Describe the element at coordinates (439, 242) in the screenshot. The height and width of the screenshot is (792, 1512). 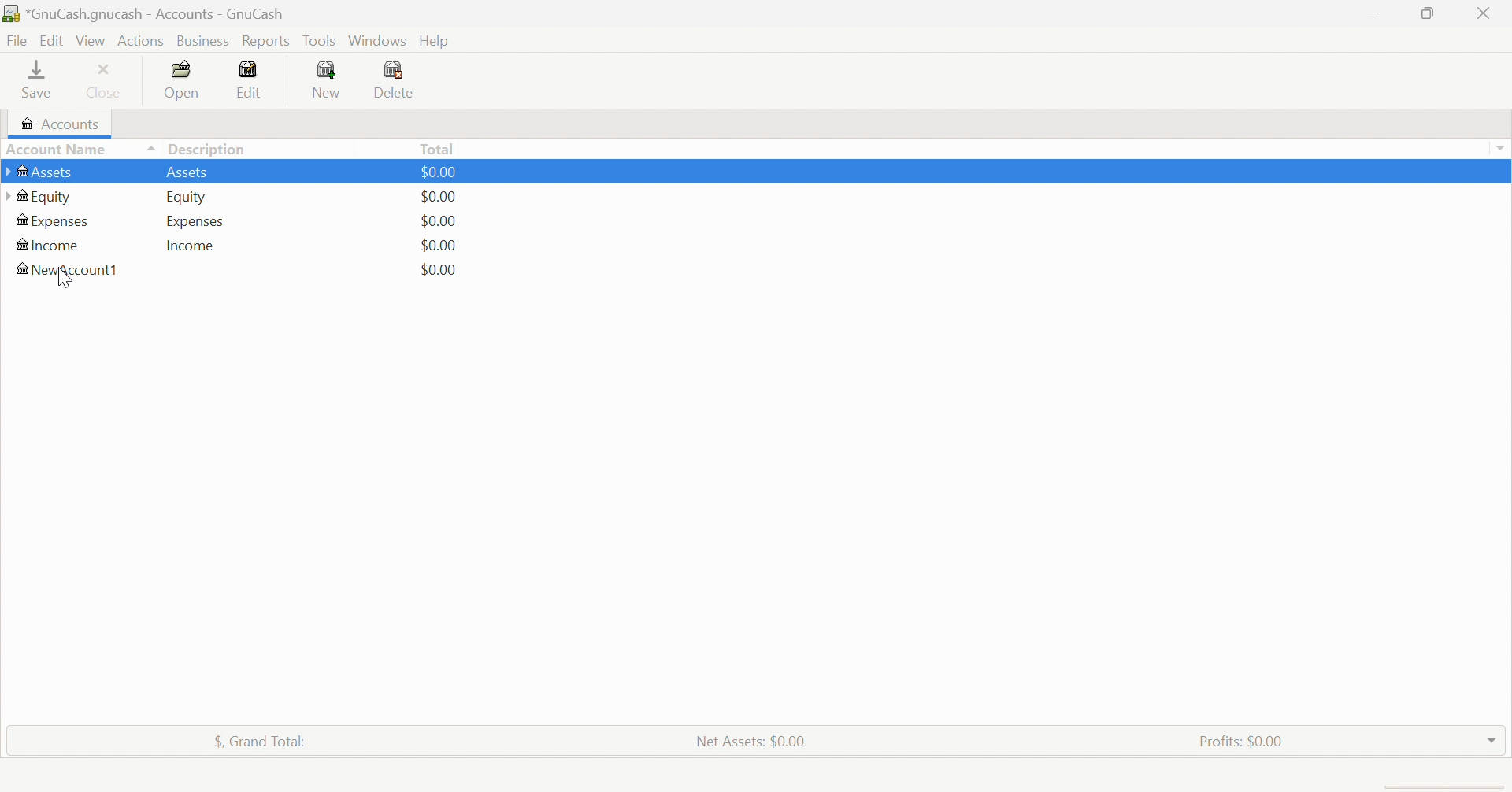
I see `$0.00` at that location.